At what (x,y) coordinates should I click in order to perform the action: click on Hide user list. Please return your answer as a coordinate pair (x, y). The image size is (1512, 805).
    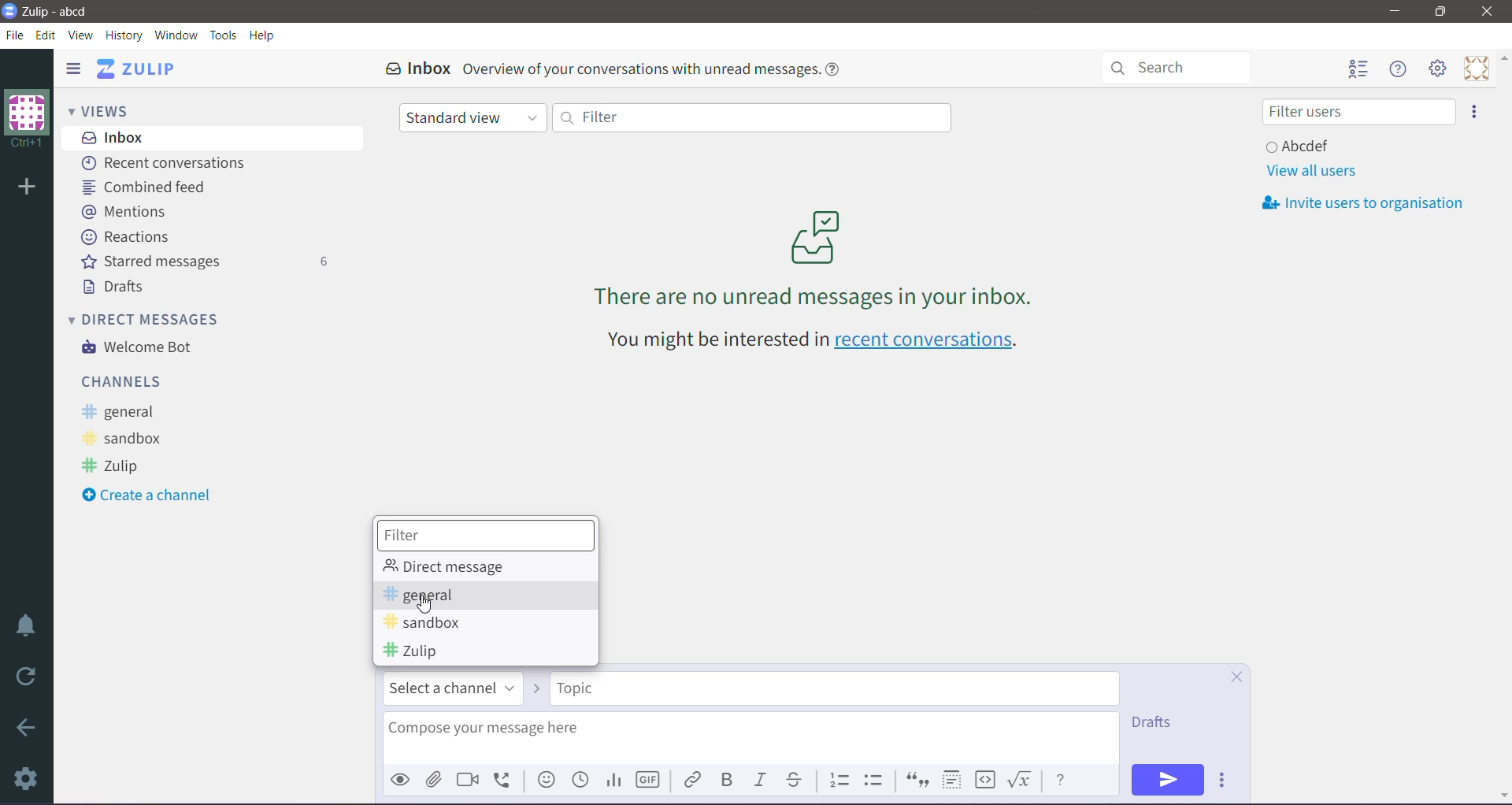
    Looking at the image, I should click on (1357, 70).